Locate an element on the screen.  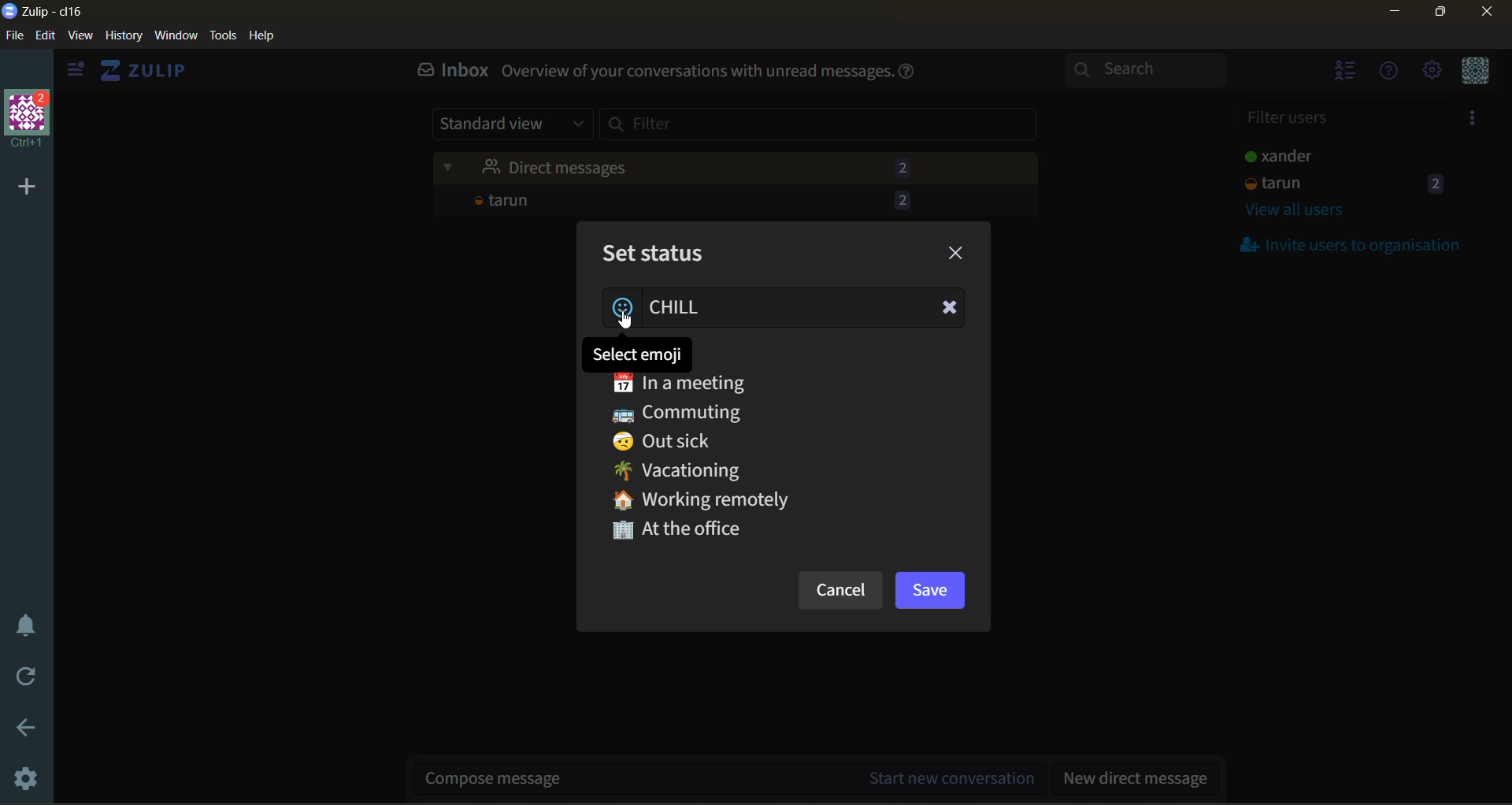
reload is located at coordinates (25, 677).